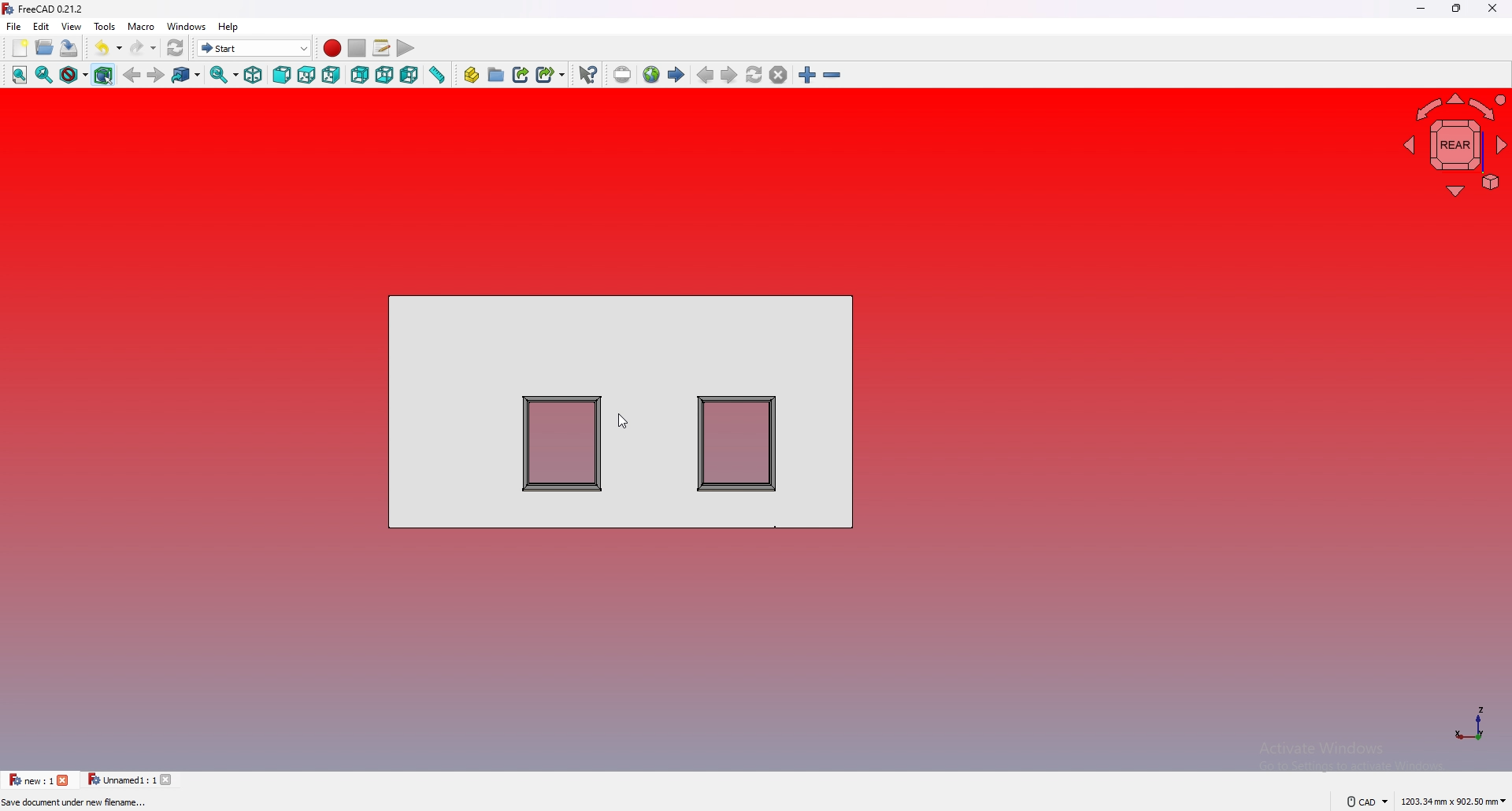 This screenshot has width=1512, height=811. What do you see at coordinates (386, 75) in the screenshot?
I see `bottom` at bounding box center [386, 75].